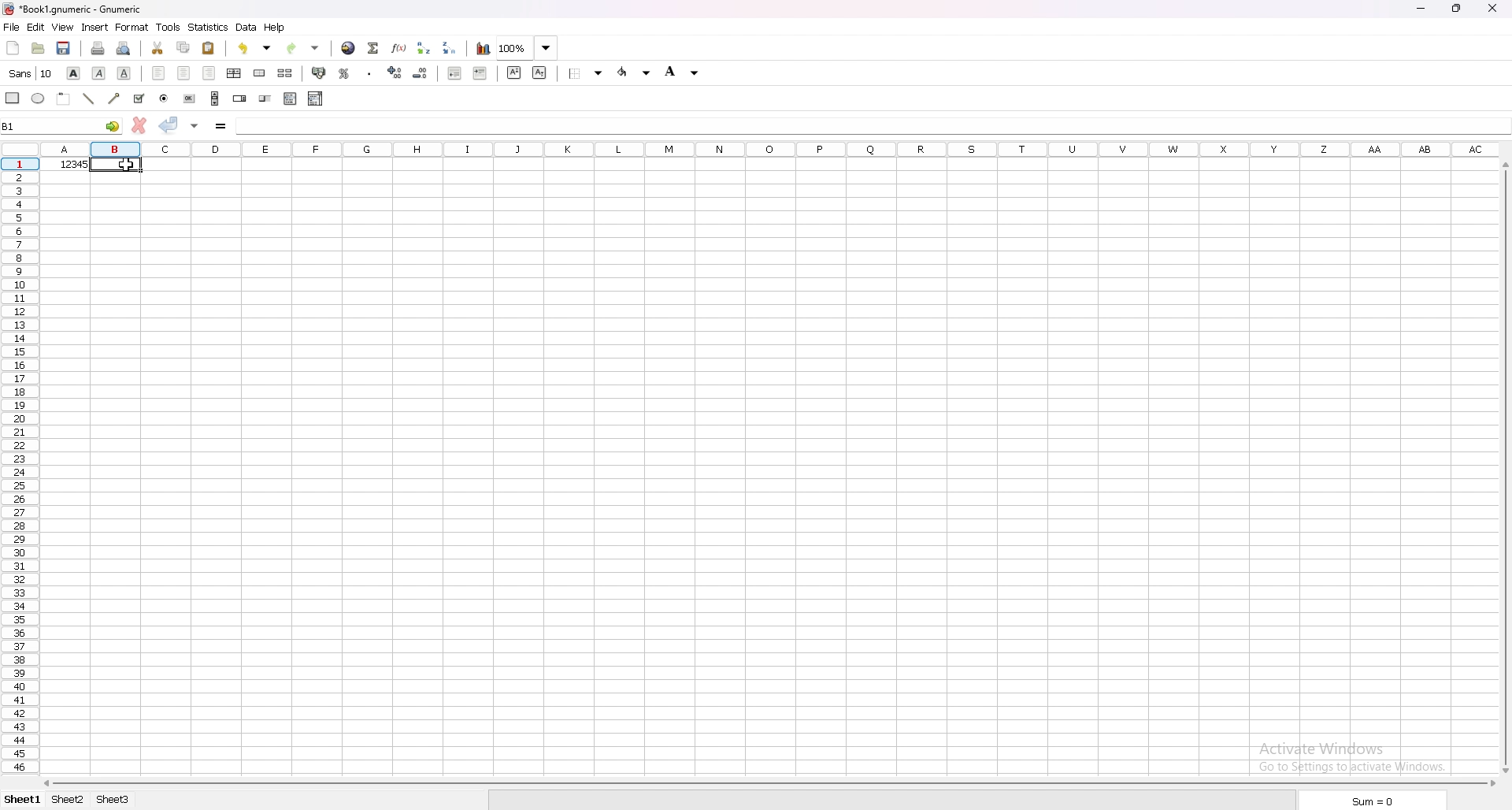 The height and width of the screenshot is (810, 1512). What do you see at coordinates (221, 125) in the screenshot?
I see `formula` at bounding box center [221, 125].